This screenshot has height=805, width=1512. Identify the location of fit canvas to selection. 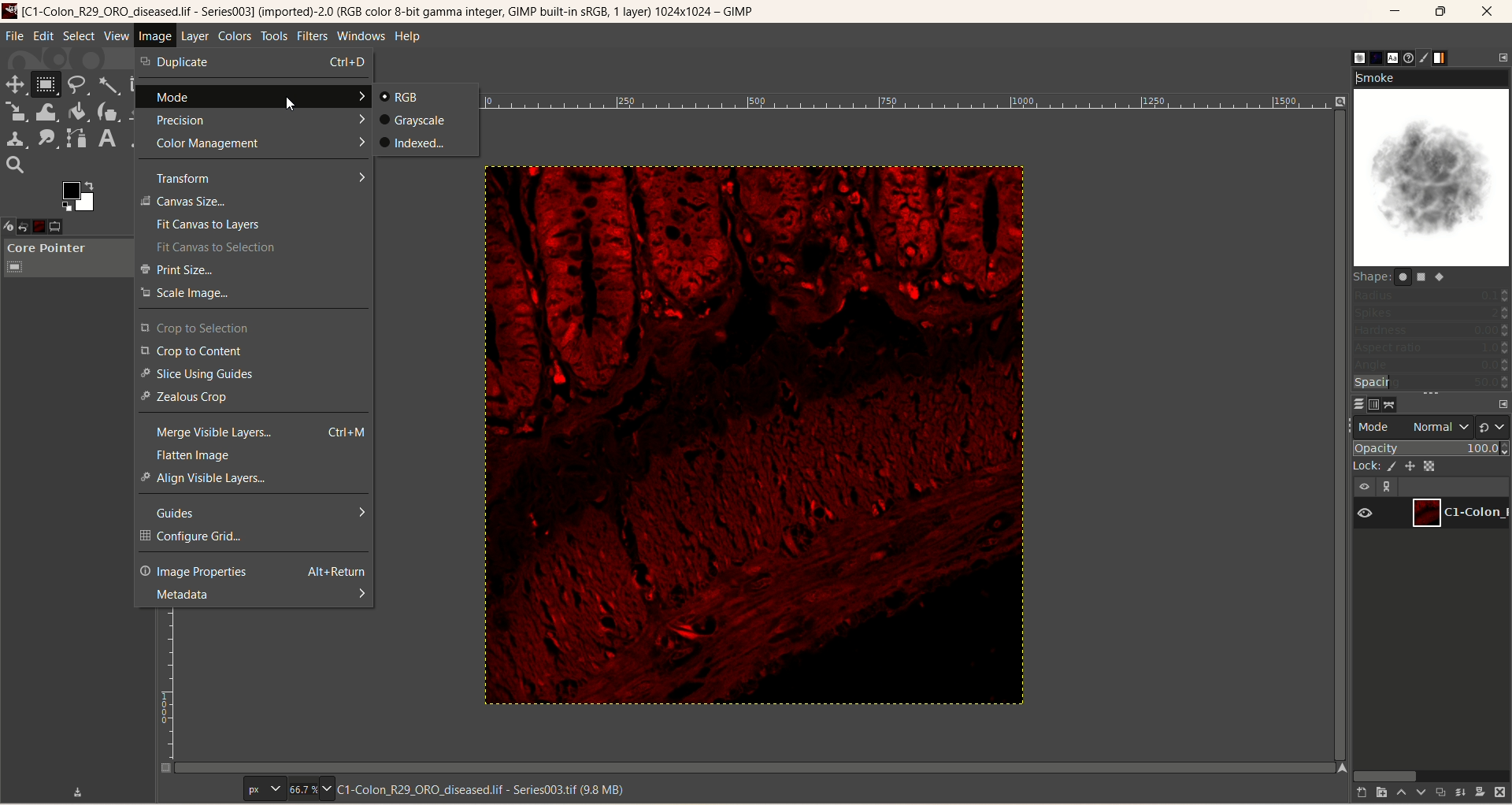
(248, 247).